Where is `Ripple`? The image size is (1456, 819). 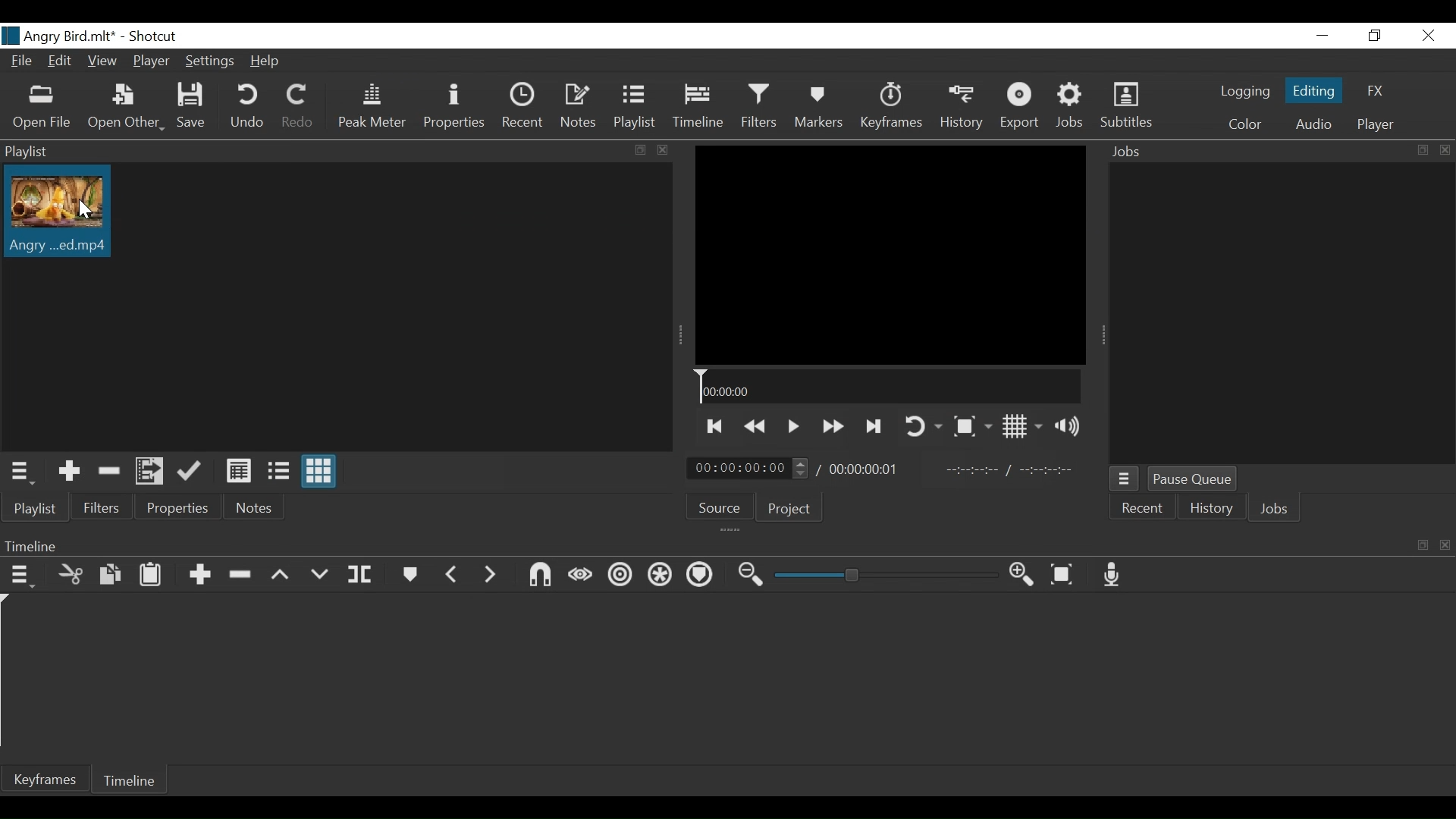 Ripple is located at coordinates (620, 575).